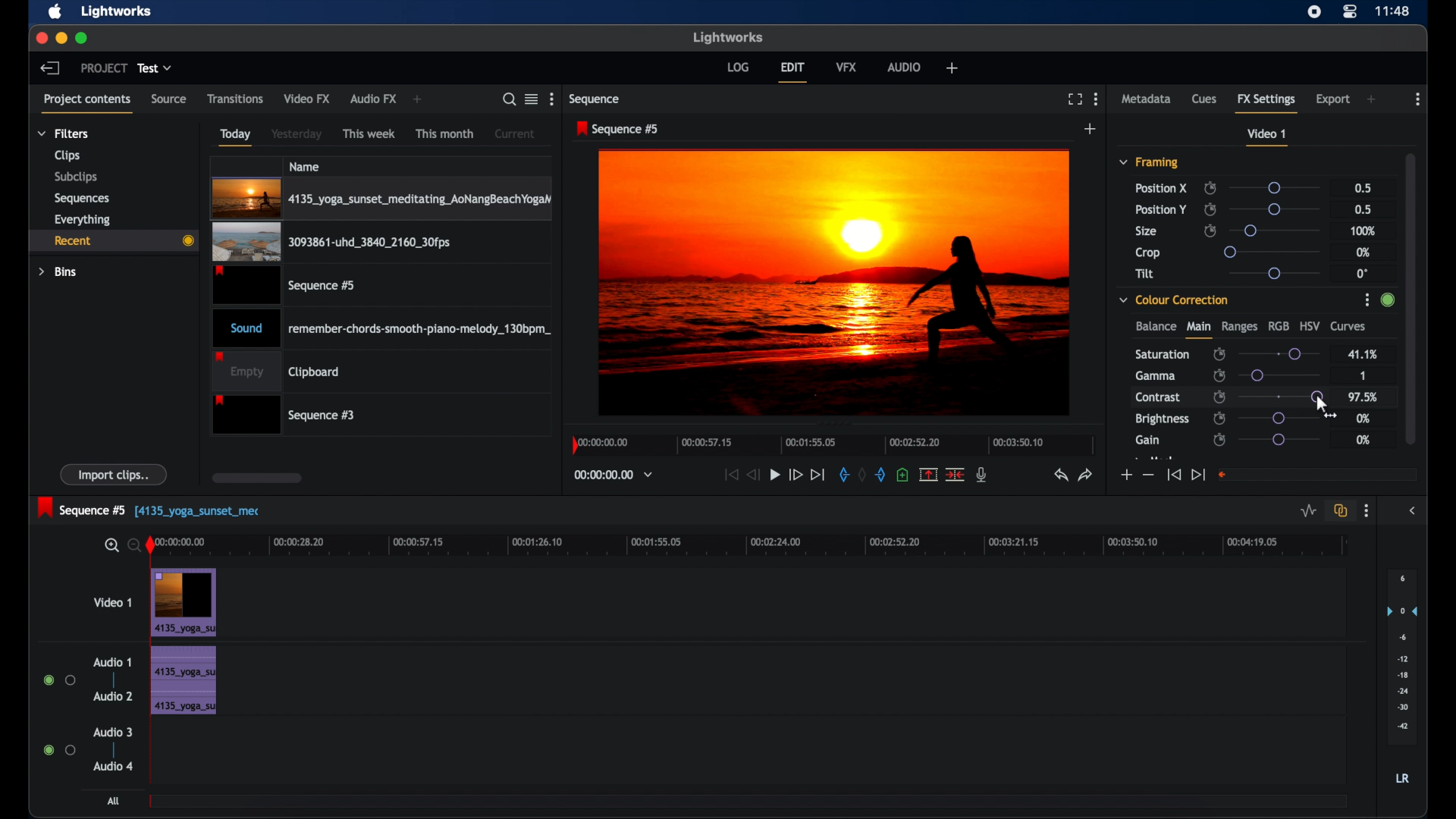  Describe the element at coordinates (1273, 251) in the screenshot. I see `slider` at that location.